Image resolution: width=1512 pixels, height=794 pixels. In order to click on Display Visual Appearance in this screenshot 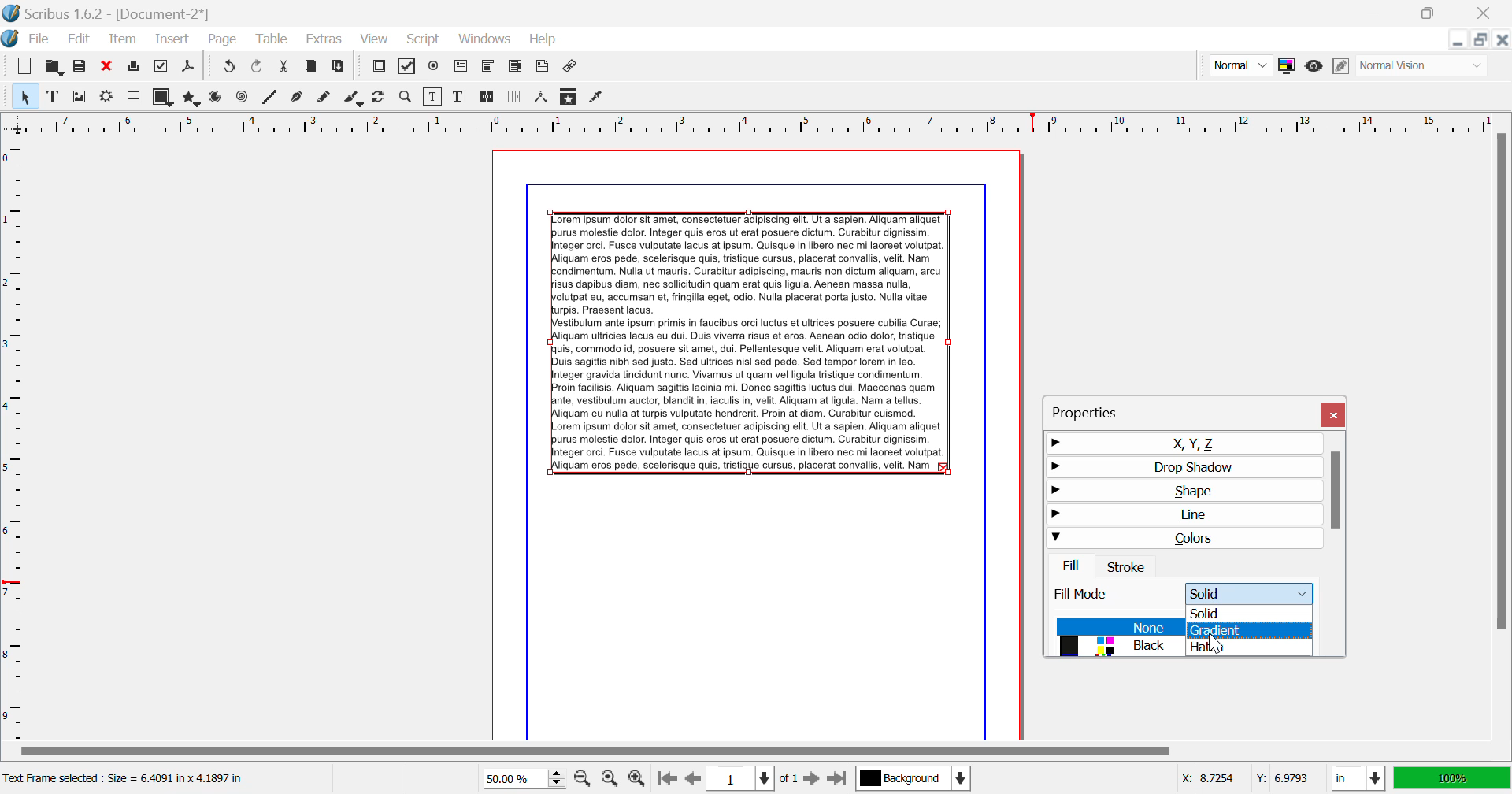, I will do `click(1424, 65)`.